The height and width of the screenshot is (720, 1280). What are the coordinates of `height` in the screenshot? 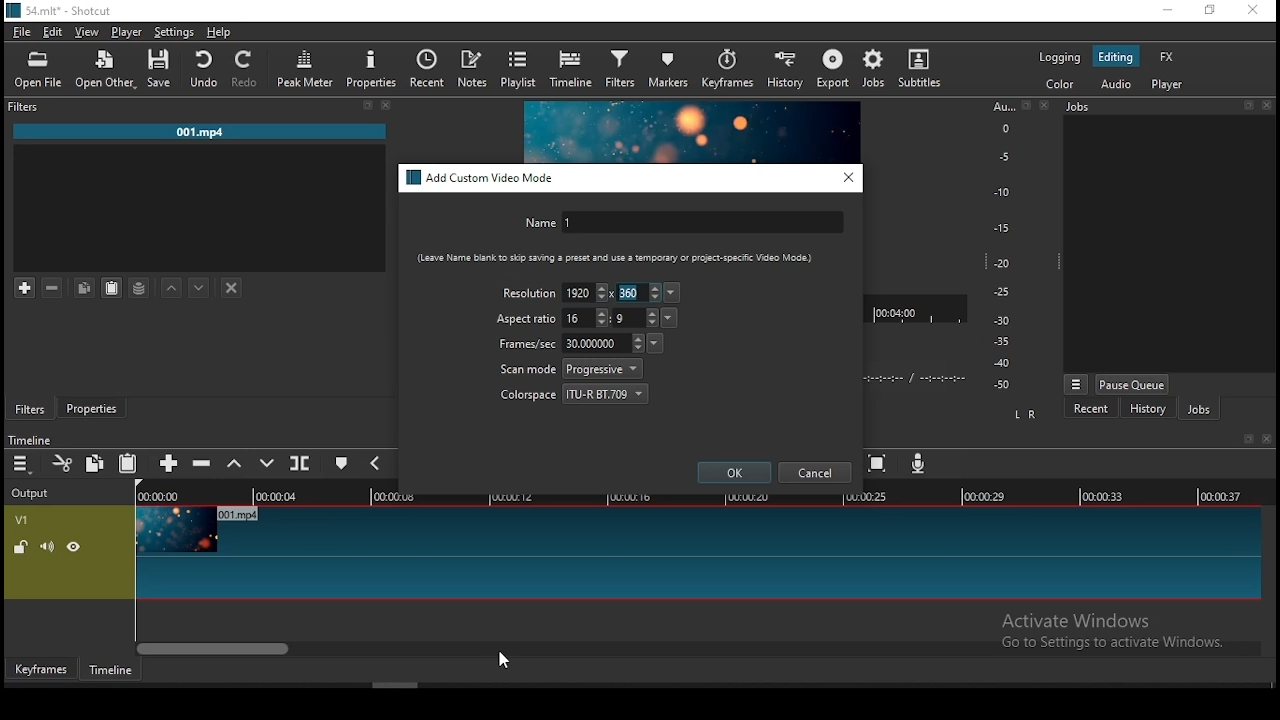 It's located at (635, 317).